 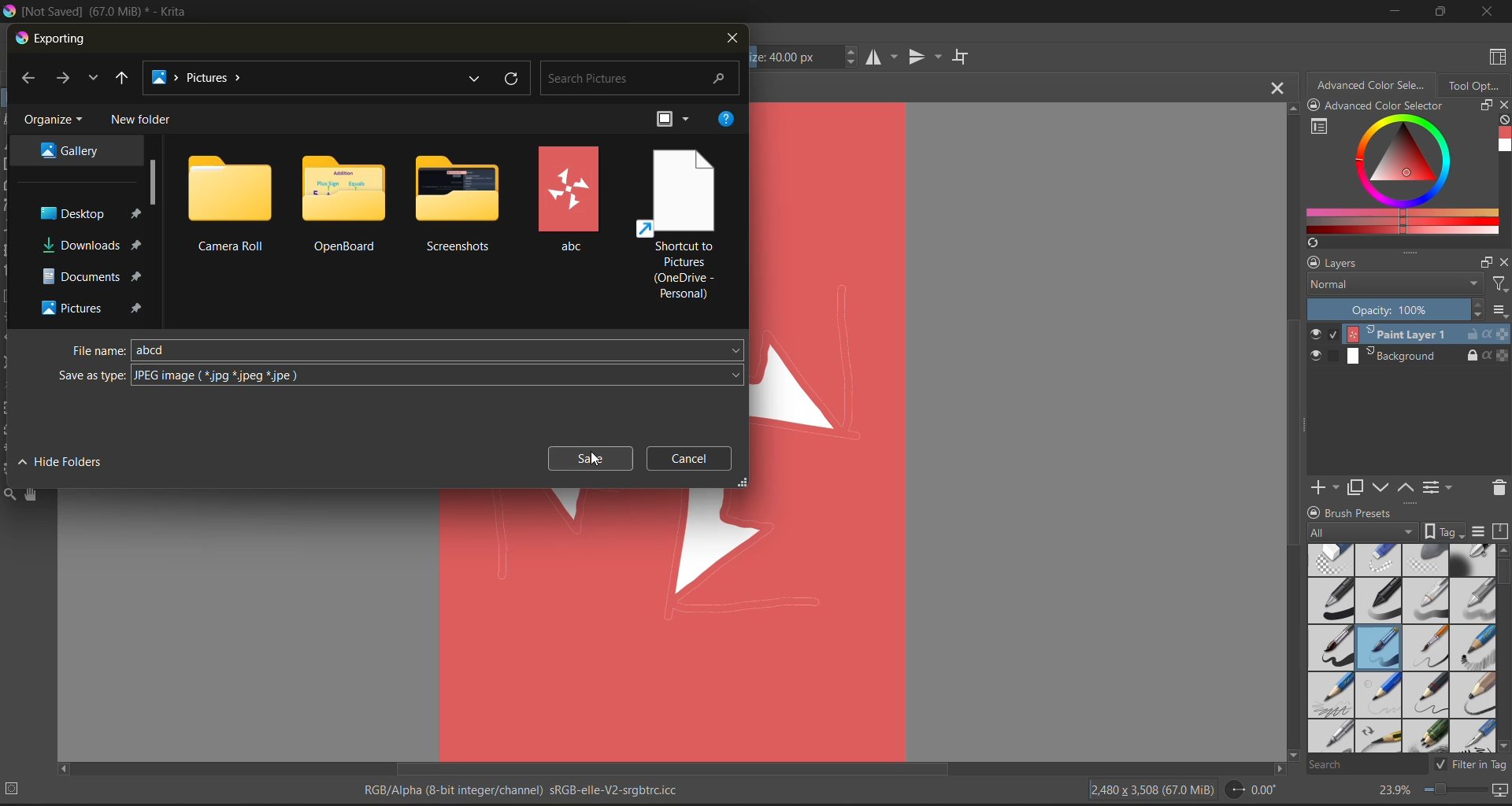 I want to click on vertical scroll bar, so click(x=1289, y=433).